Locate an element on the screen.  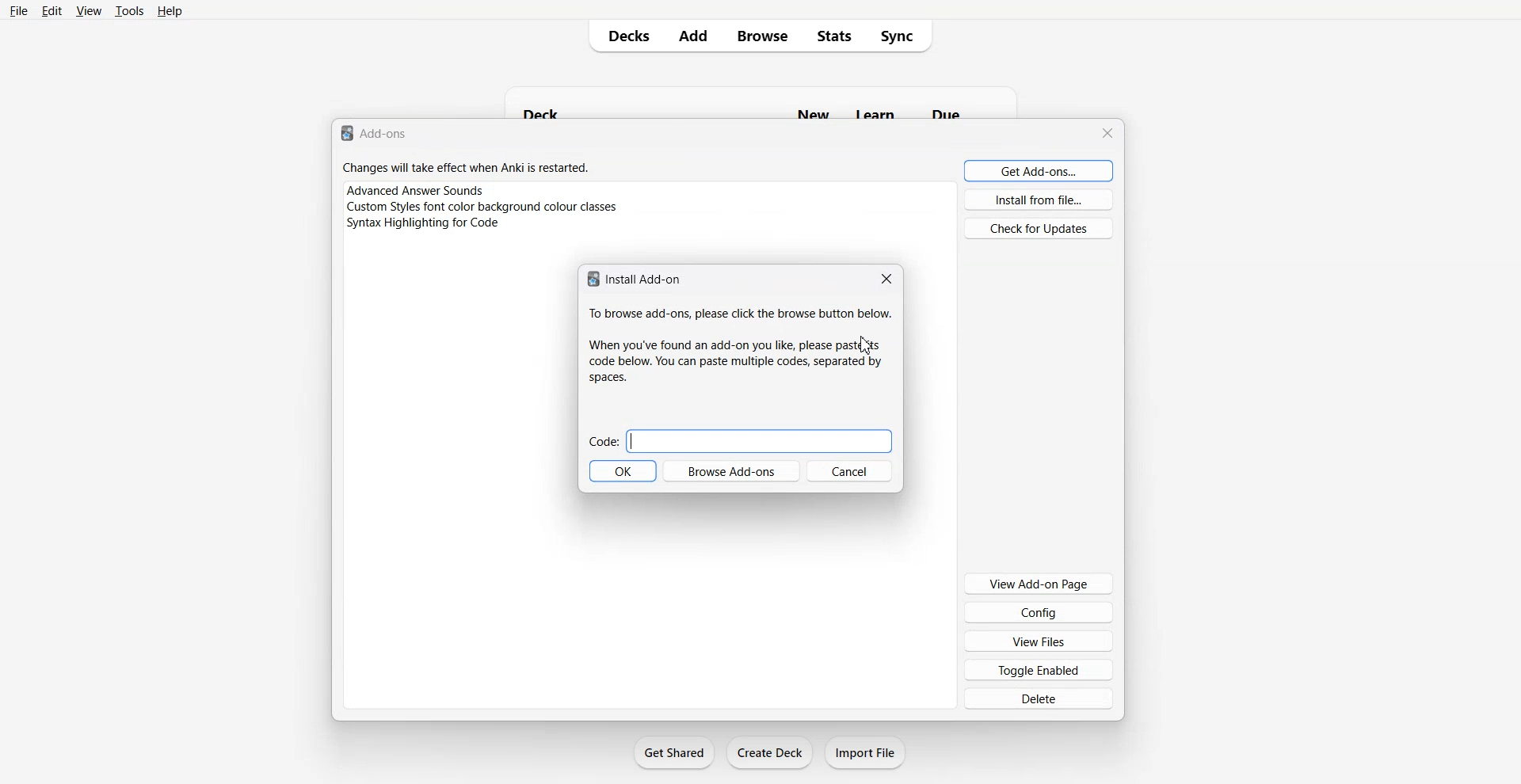
Config is located at coordinates (1039, 611).